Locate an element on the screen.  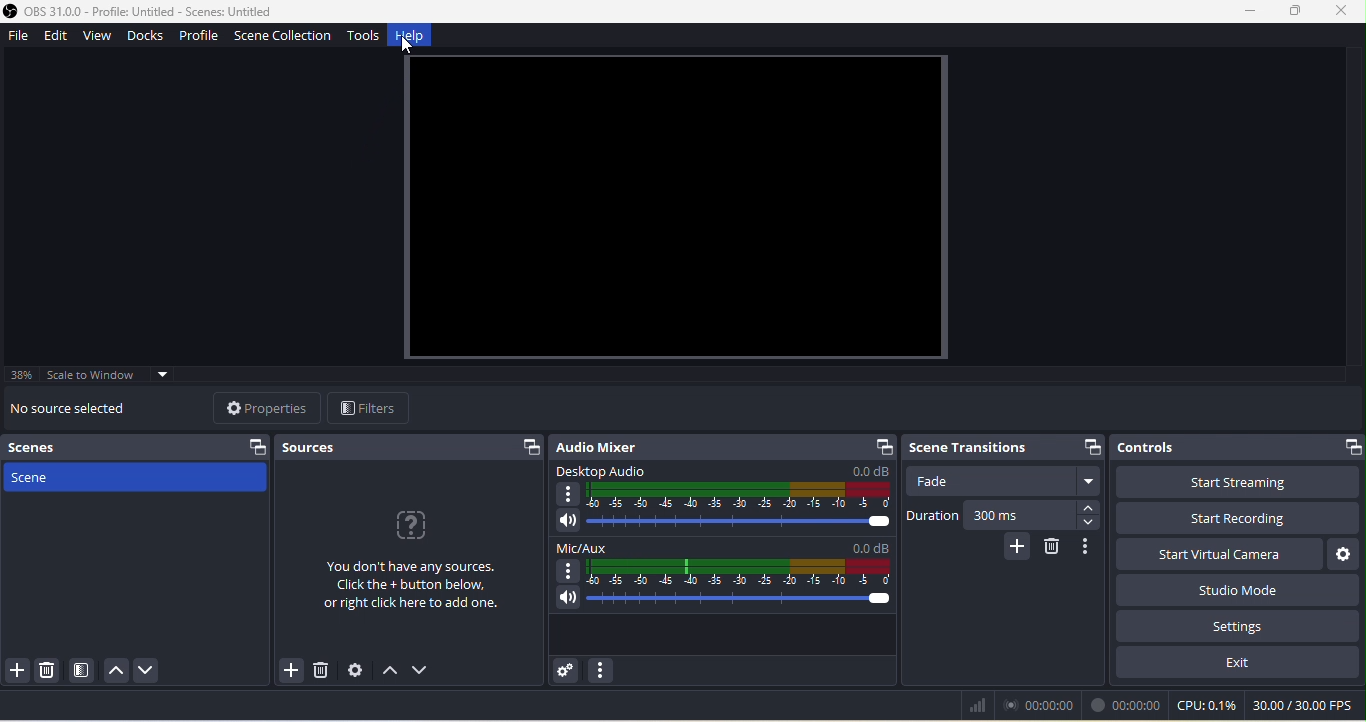
scene is located at coordinates (136, 482).